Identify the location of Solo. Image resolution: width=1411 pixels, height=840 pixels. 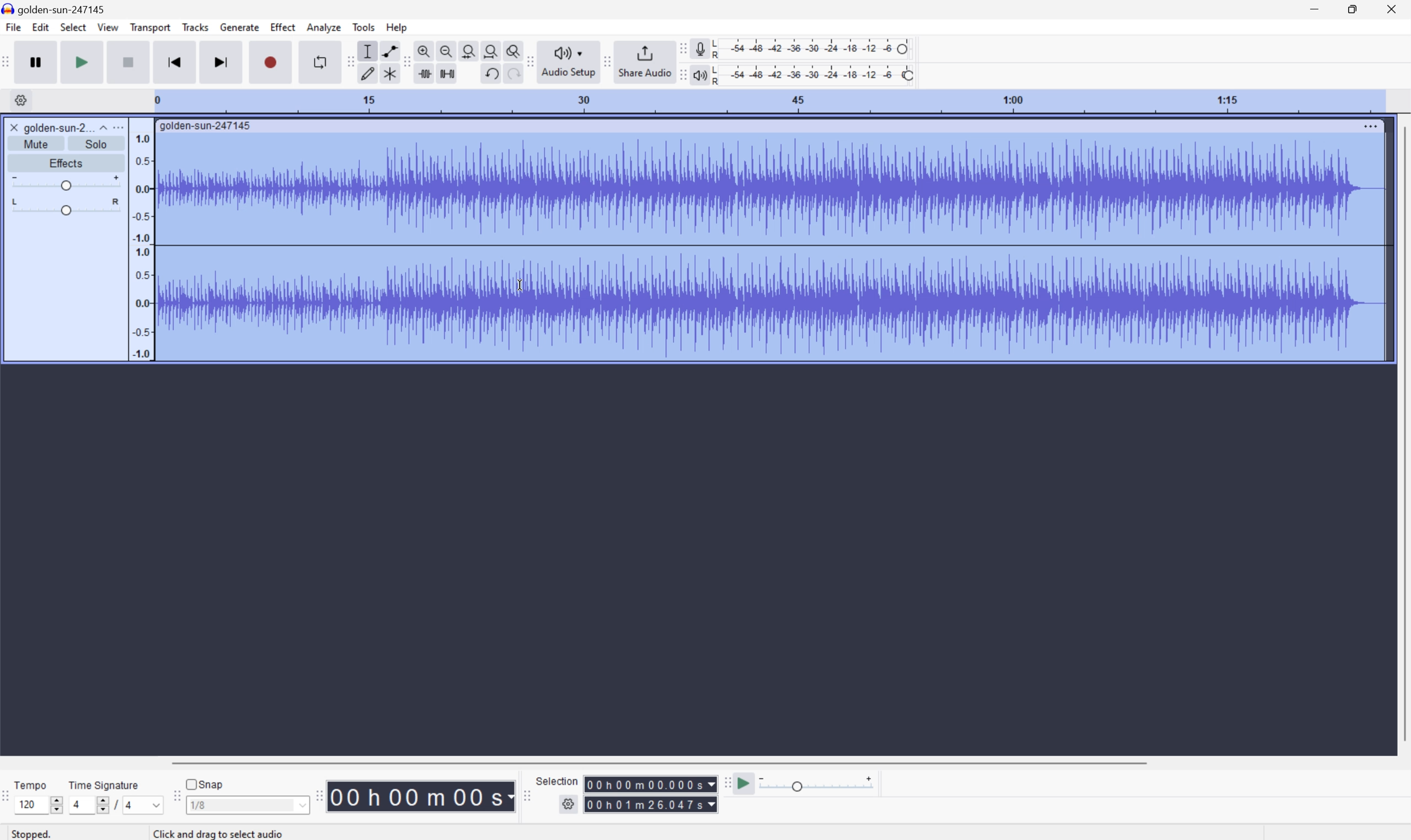
(96, 144).